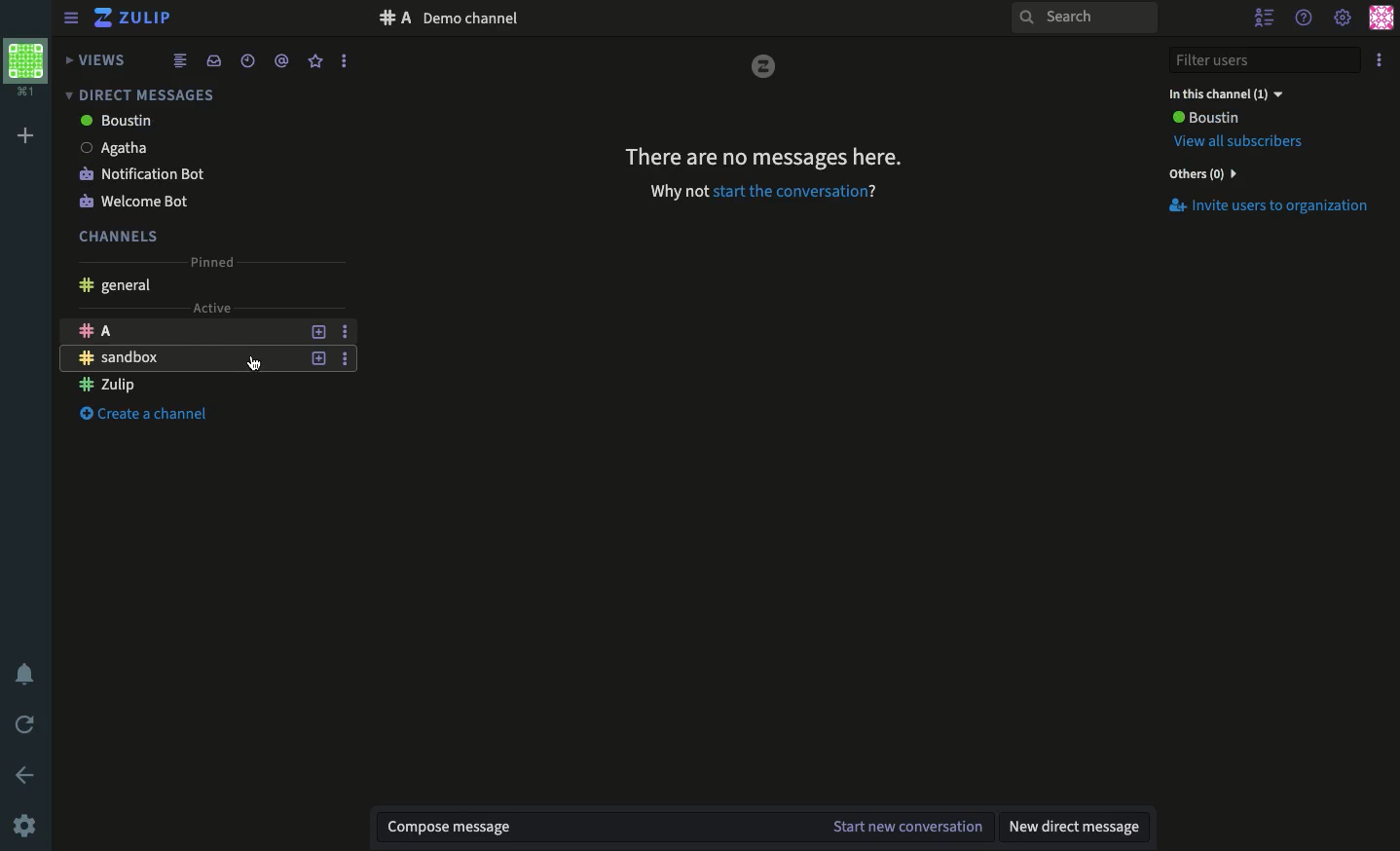 This screenshot has width=1400, height=851. Describe the element at coordinates (136, 94) in the screenshot. I see `Direct messages` at that location.